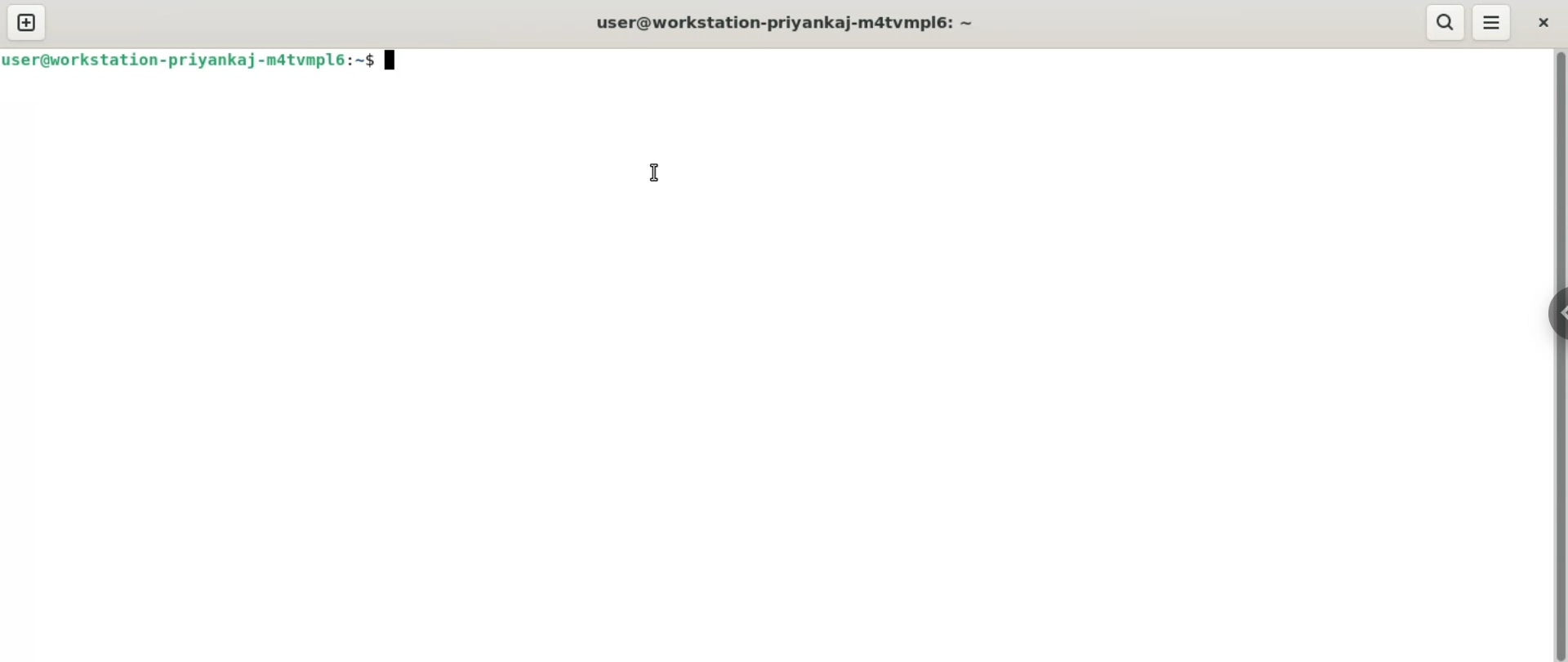 The width and height of the screenshot is (1568, 662). I want to click on cursor, so click(648, 172).